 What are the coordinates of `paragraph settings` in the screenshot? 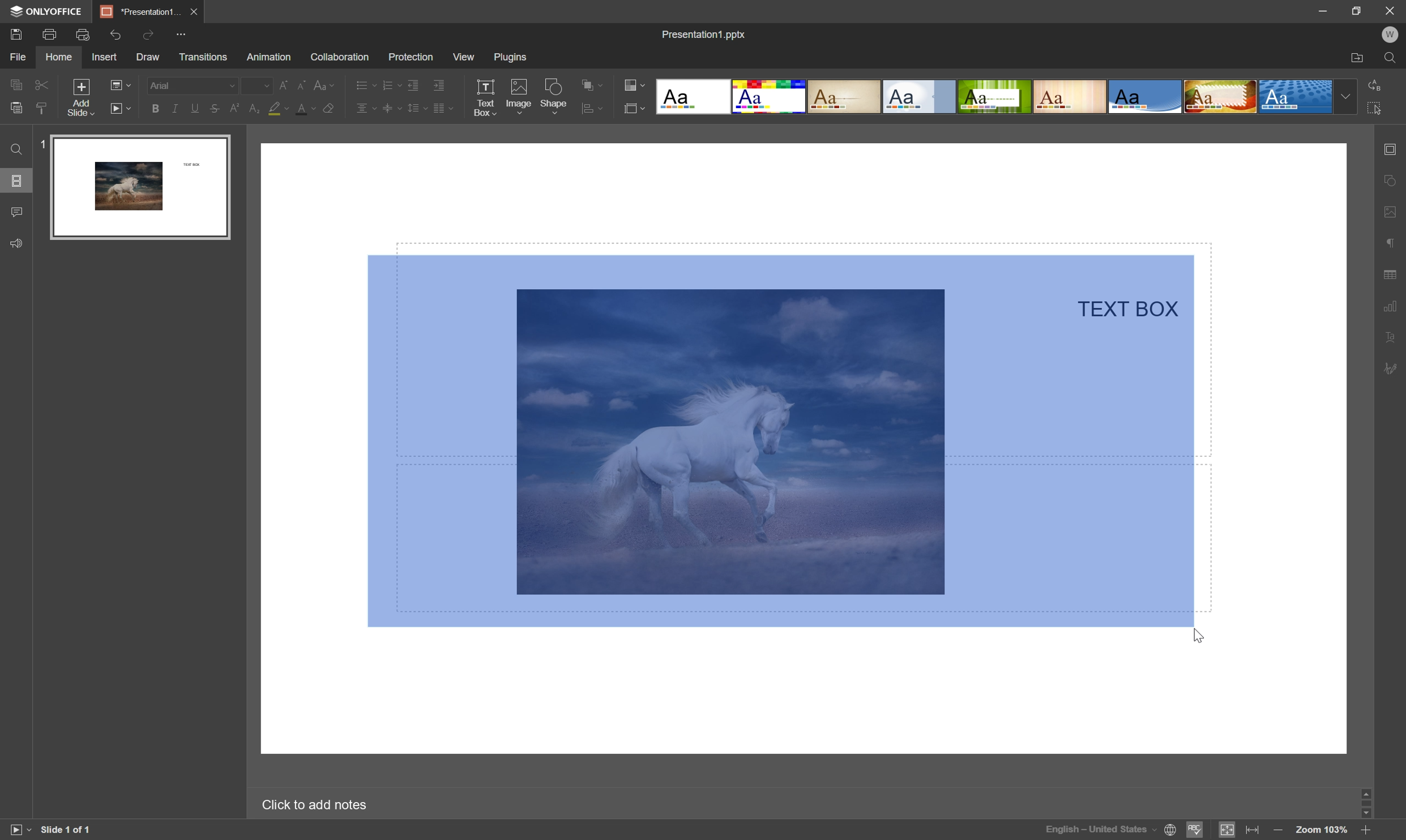 It's located at (1391, 243).